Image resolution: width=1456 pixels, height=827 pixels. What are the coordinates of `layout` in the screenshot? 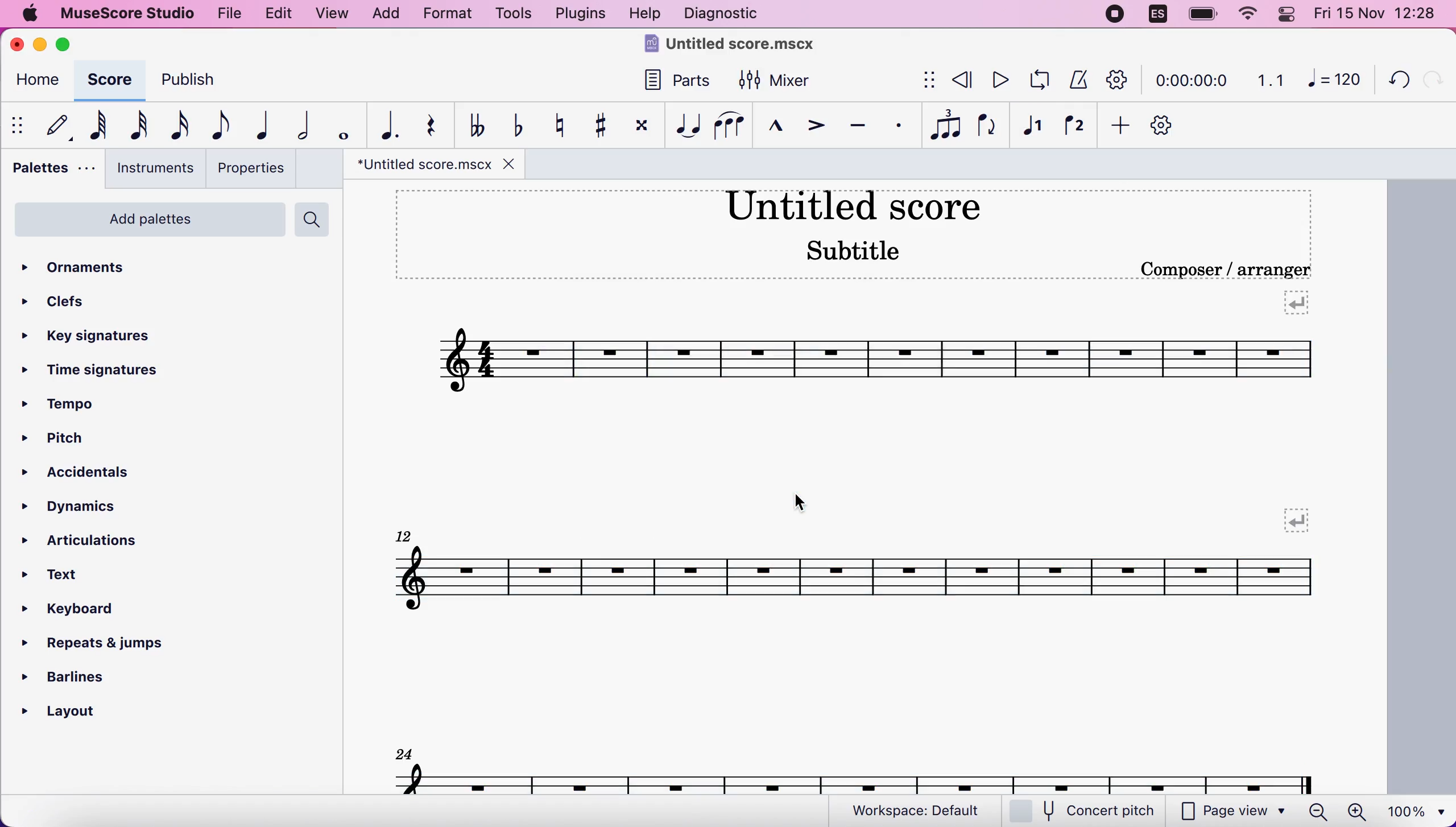 It's located at (74, 708).